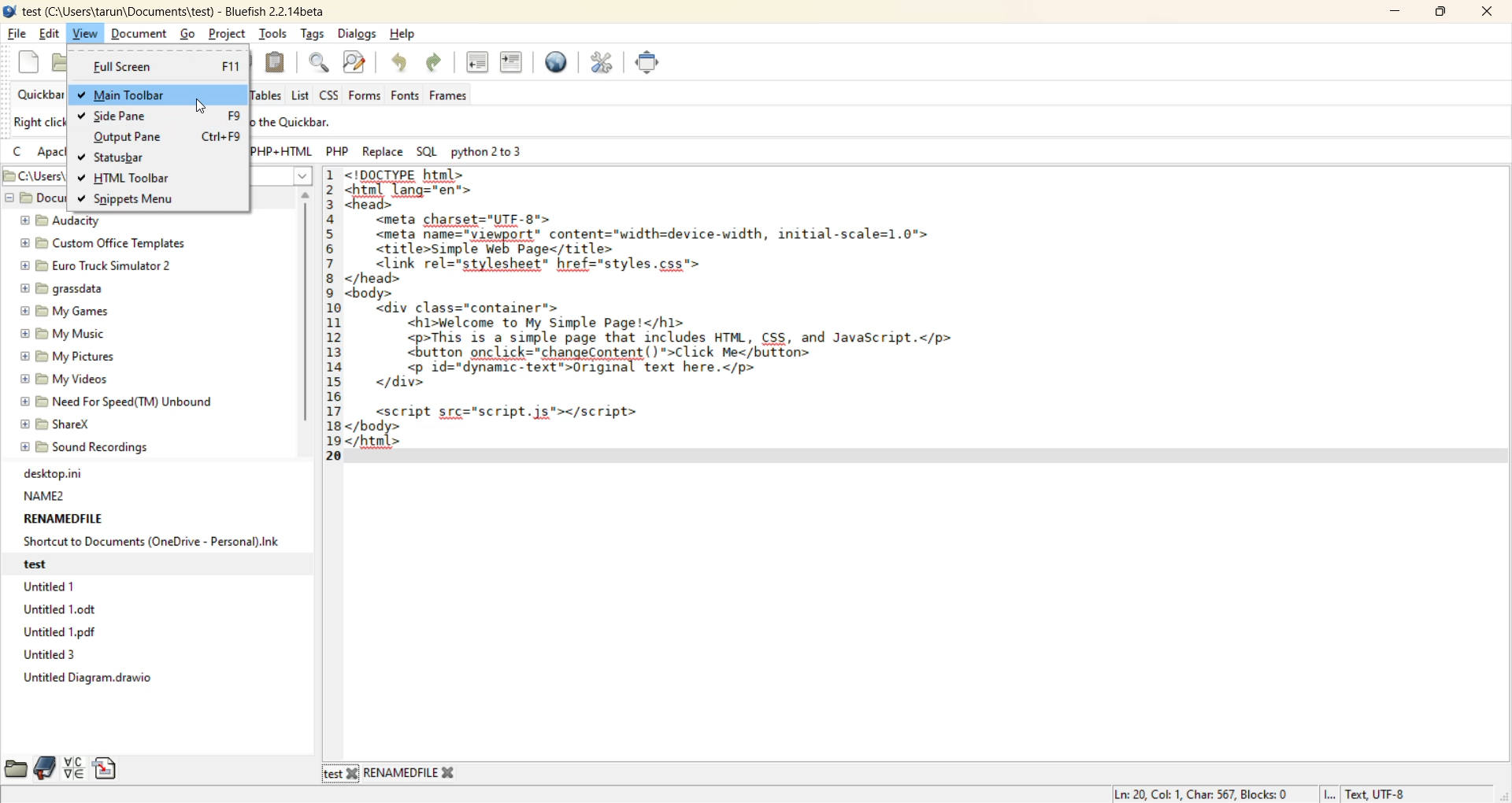 Image resolution: width=1512 pixels, height=803 pixels. Describe the element at coordinates (454, 96) in the screenshot. I see `frames` at that location.